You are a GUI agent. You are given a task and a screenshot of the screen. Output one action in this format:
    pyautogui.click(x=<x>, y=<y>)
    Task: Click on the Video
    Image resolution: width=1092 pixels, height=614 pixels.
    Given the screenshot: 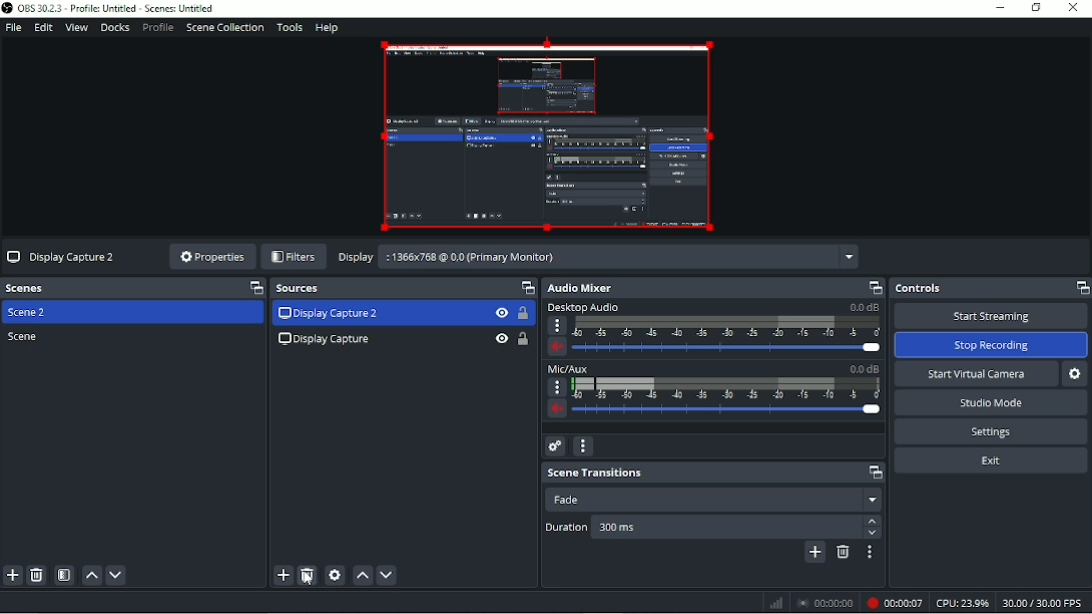 What is the action you would take?
    pyautogui.click(x=547, y=138)
    